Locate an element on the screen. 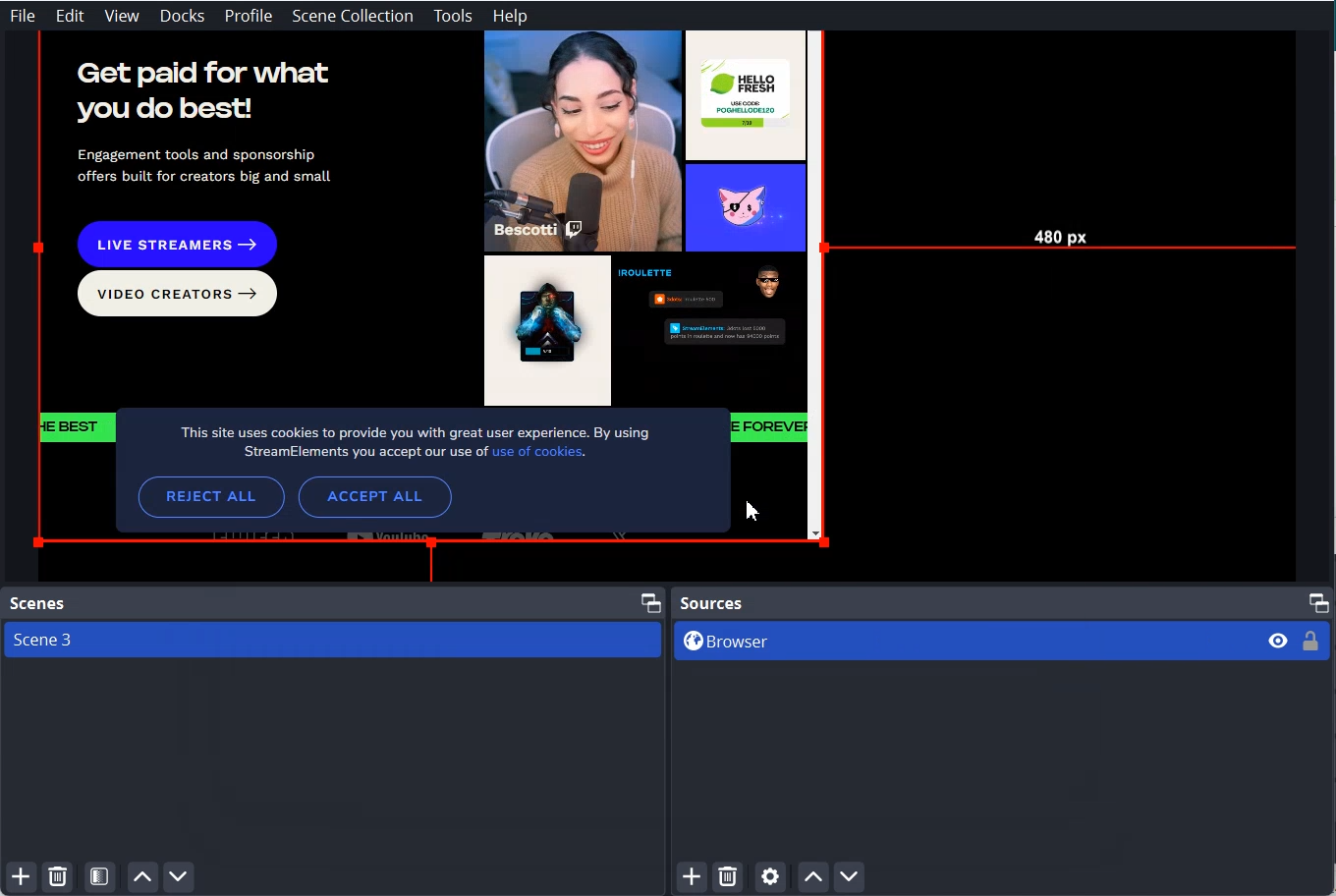  Move Source up is located at coordinates (812, 876).